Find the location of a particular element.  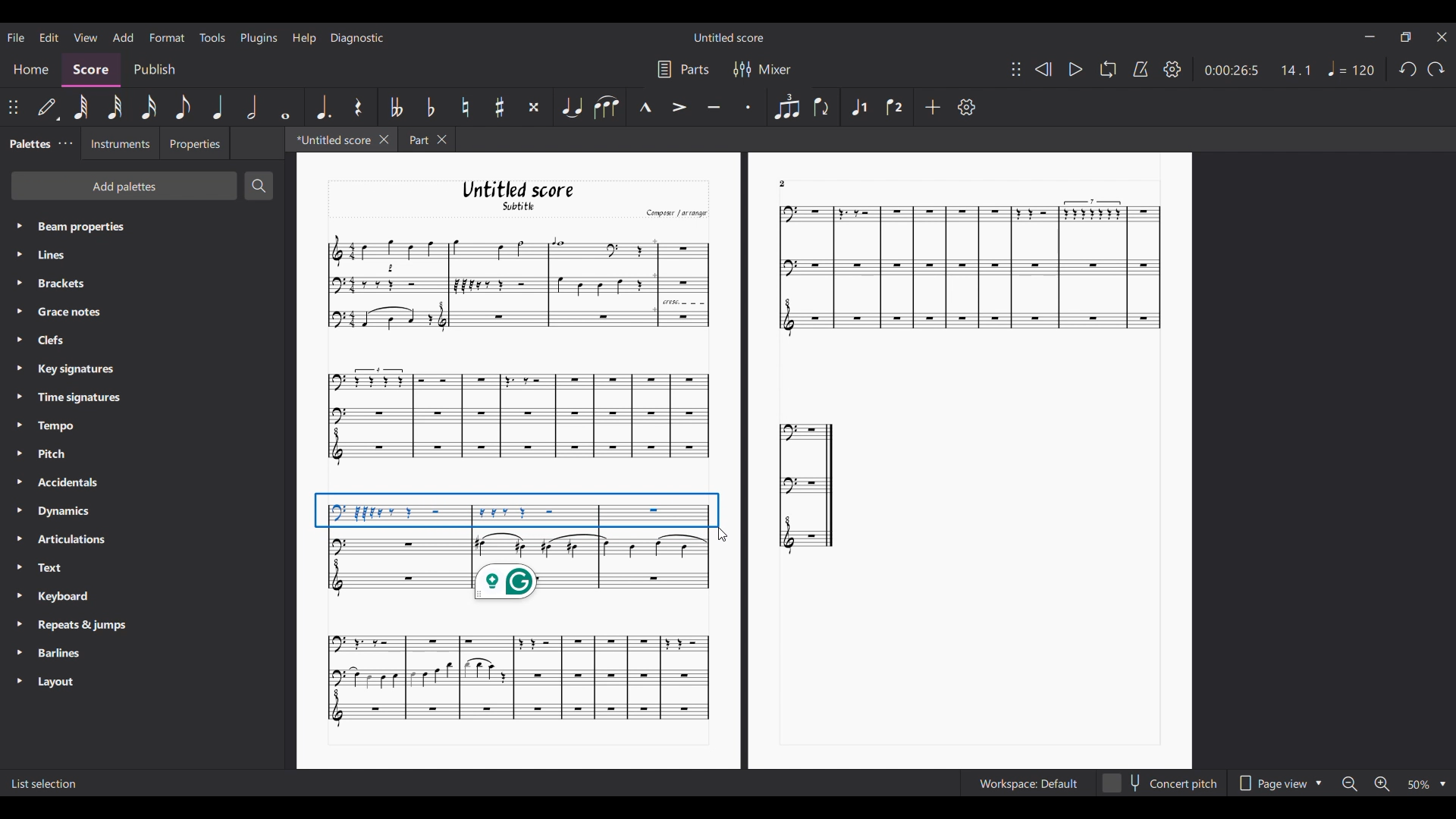

Graph is located at coordinates (517, 523).